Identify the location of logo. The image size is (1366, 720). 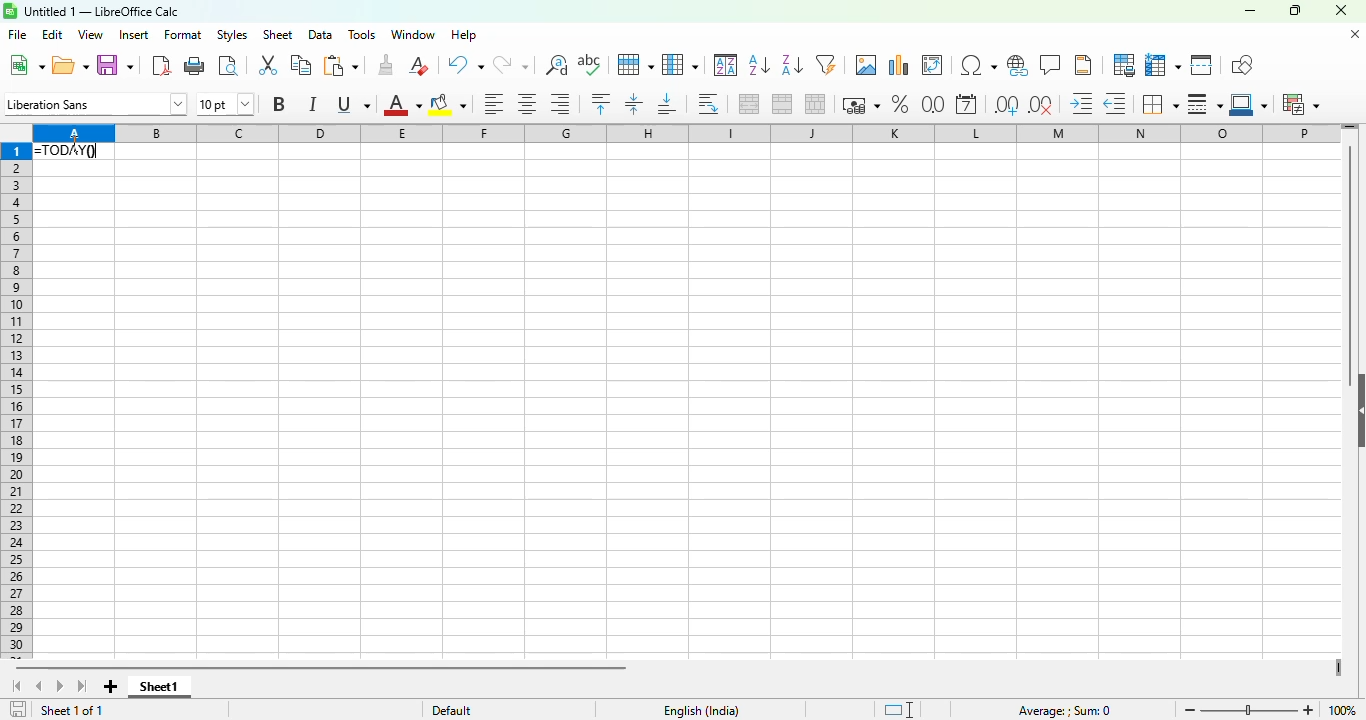
(10, 11).